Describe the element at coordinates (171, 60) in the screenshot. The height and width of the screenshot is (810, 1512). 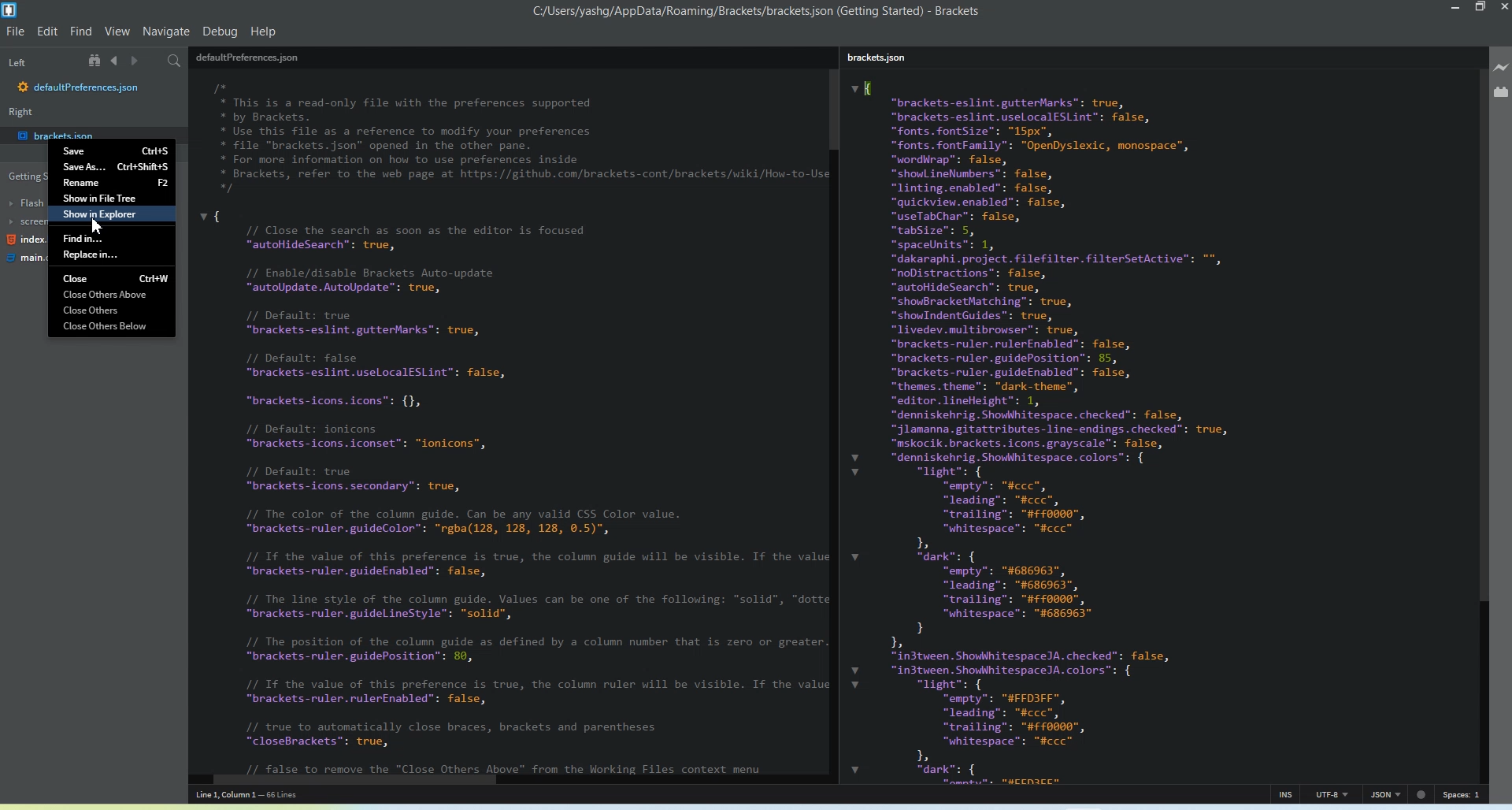
I see `Find in files` at that location.